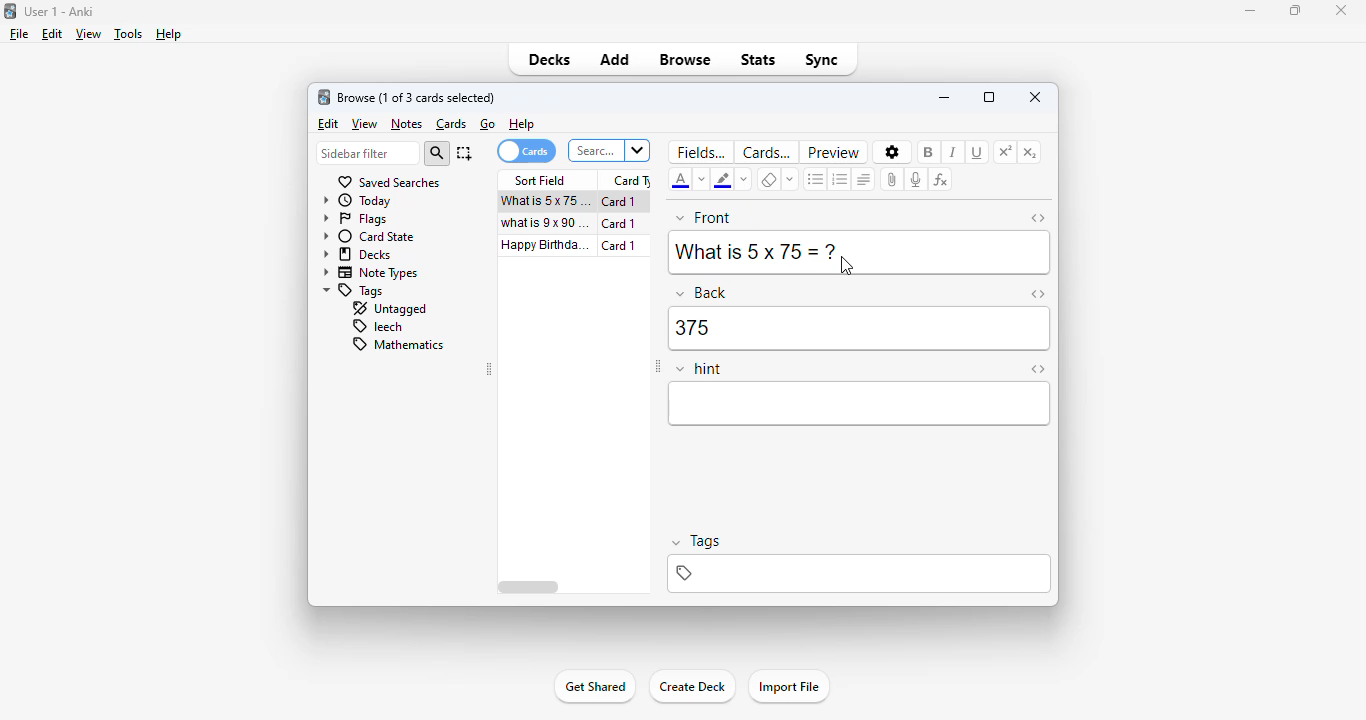 This screenshot has width=1366, height=720. I want to click on subscript, so click(1030, 153).